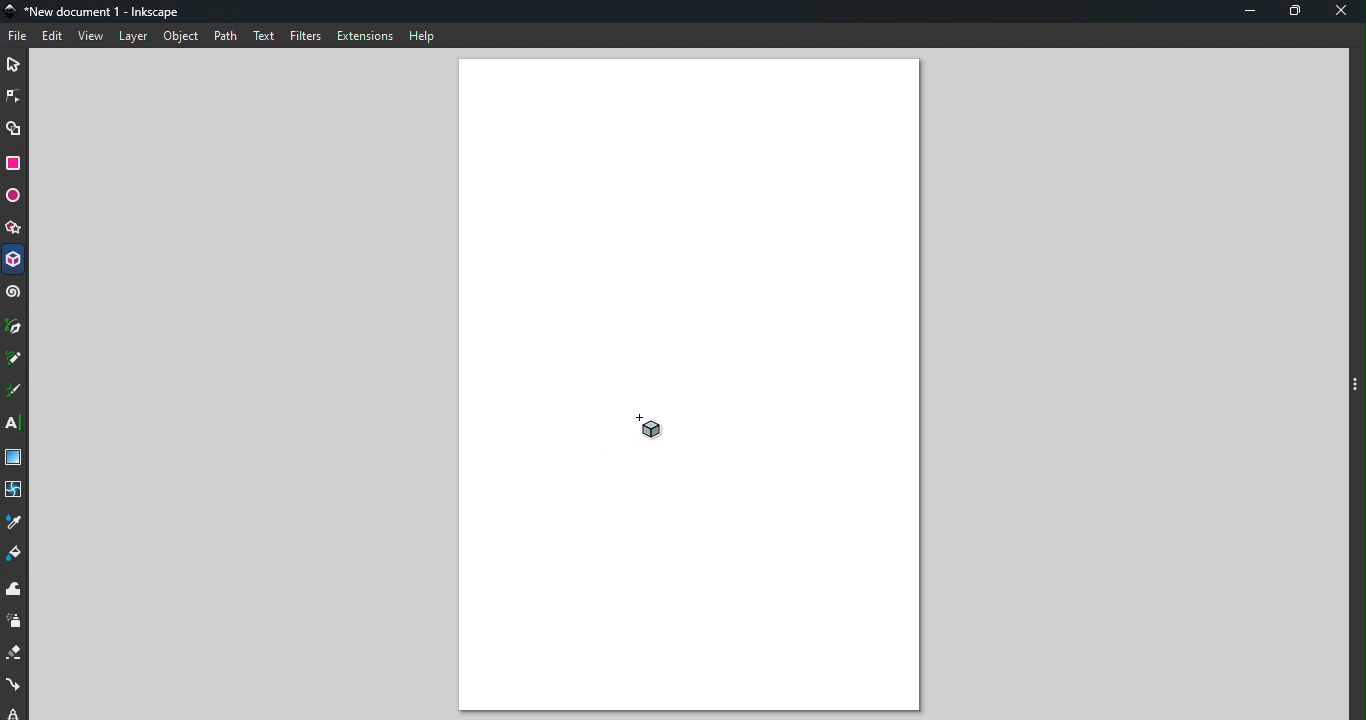 The height and width of the screenshot is (720, 1366). What do you see at coordinates (15, 164) in the screenshot?
I see `Rectangle tool` at bounding box center [15, 164].